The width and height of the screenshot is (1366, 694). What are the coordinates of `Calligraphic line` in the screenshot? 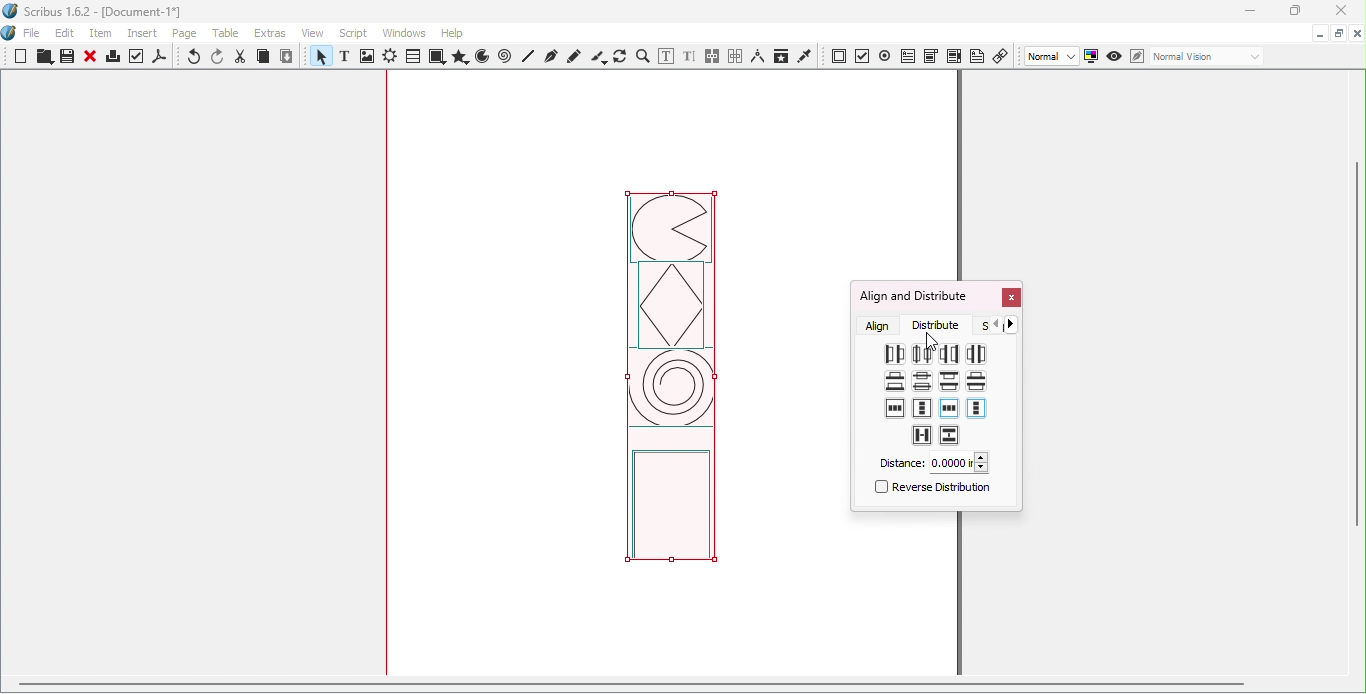 It's located at (598, 57).